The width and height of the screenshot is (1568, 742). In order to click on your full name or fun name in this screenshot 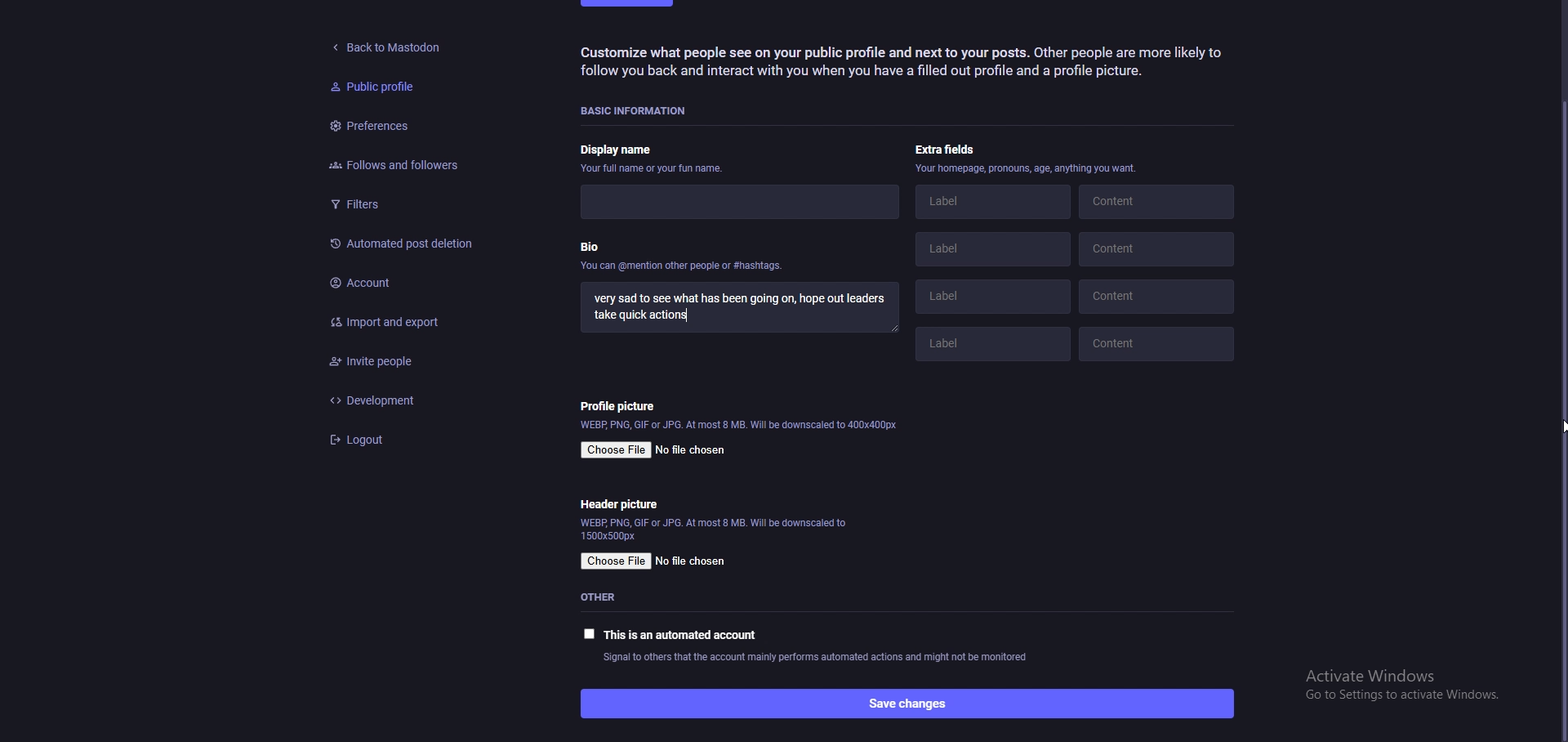, I will do `click(657, 169)`.